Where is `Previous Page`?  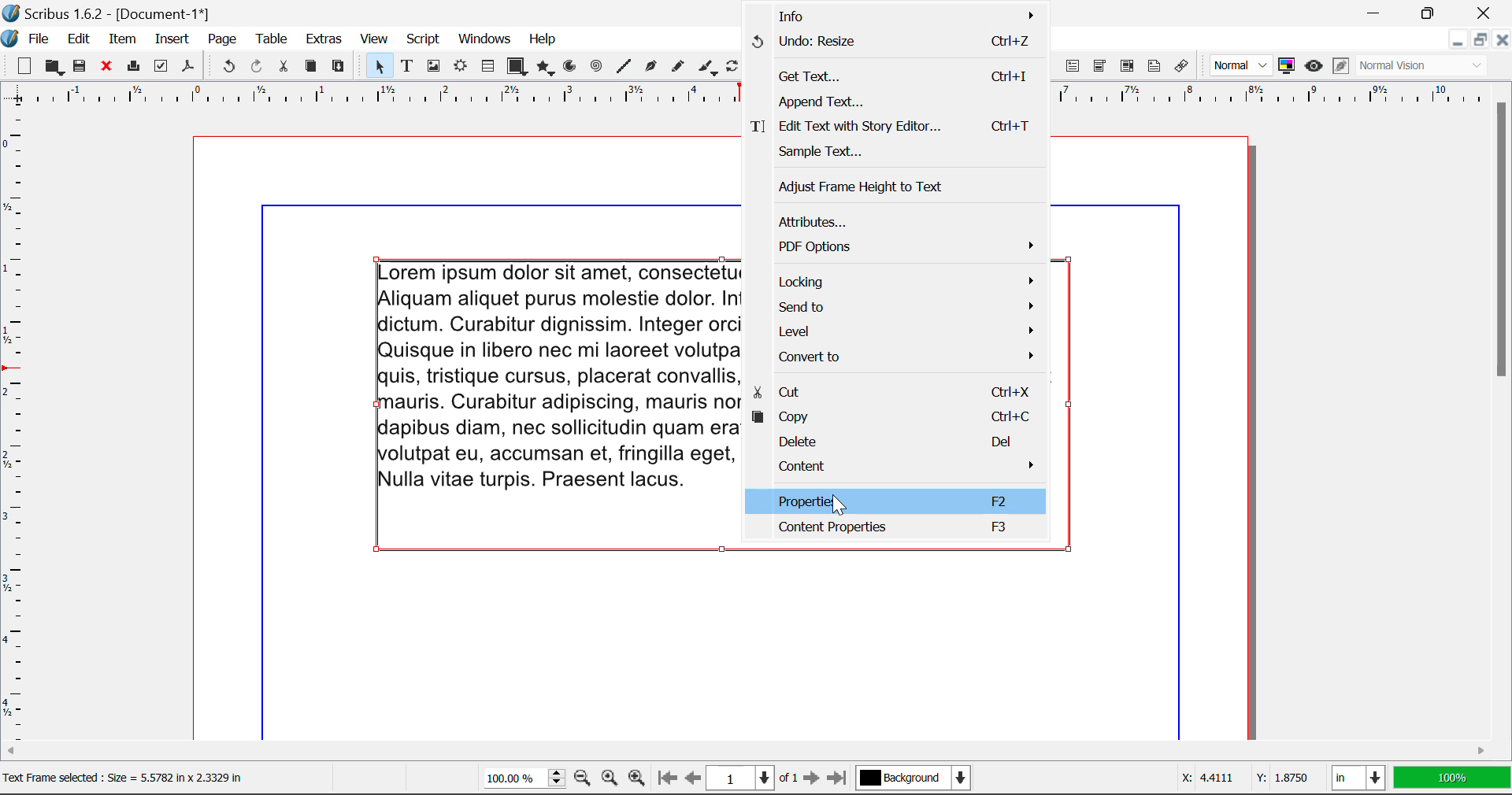
Previous Page is located at coordinates (693, 780).